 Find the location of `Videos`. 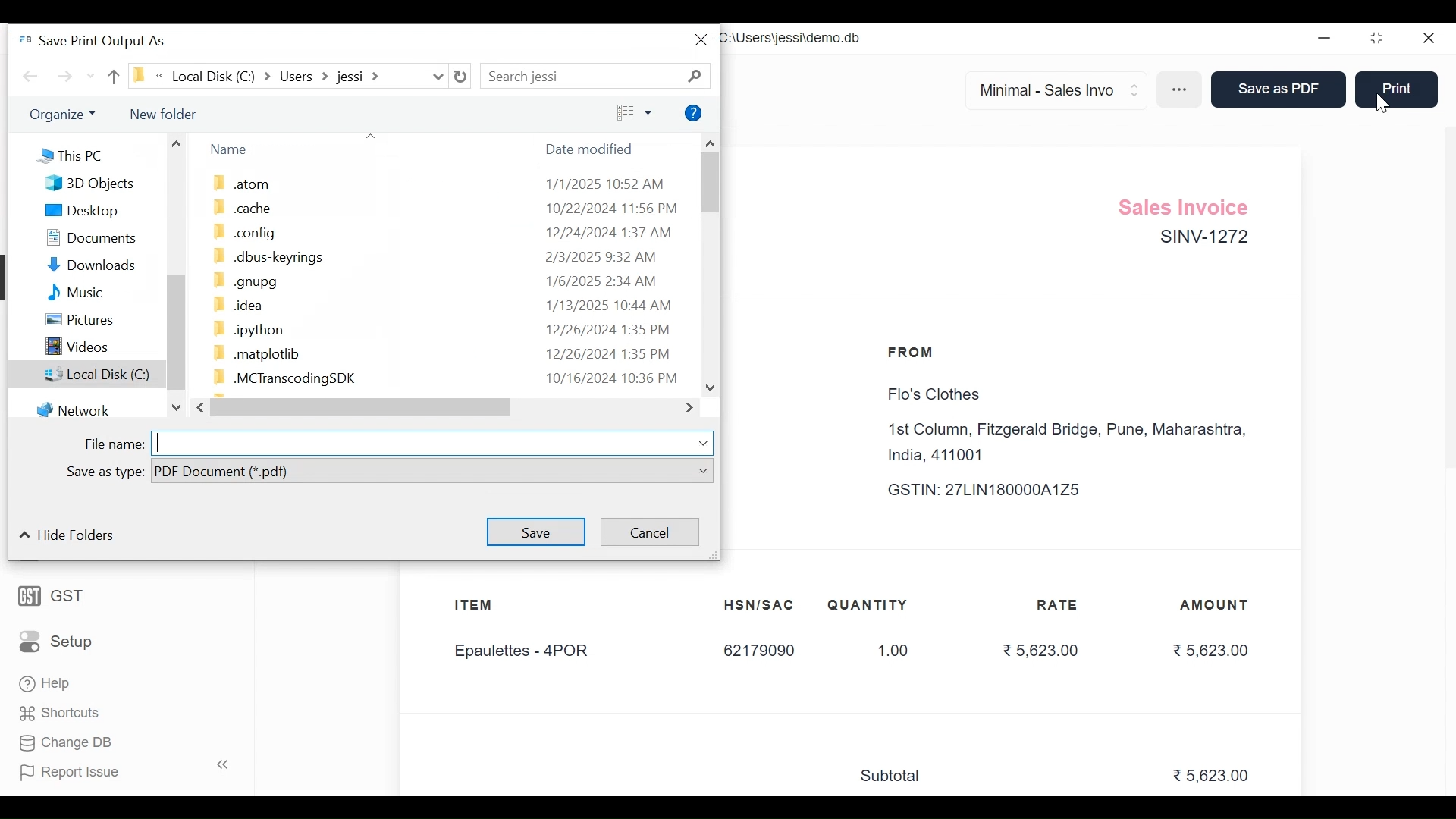

Videos is located at coordinates (74, 345).